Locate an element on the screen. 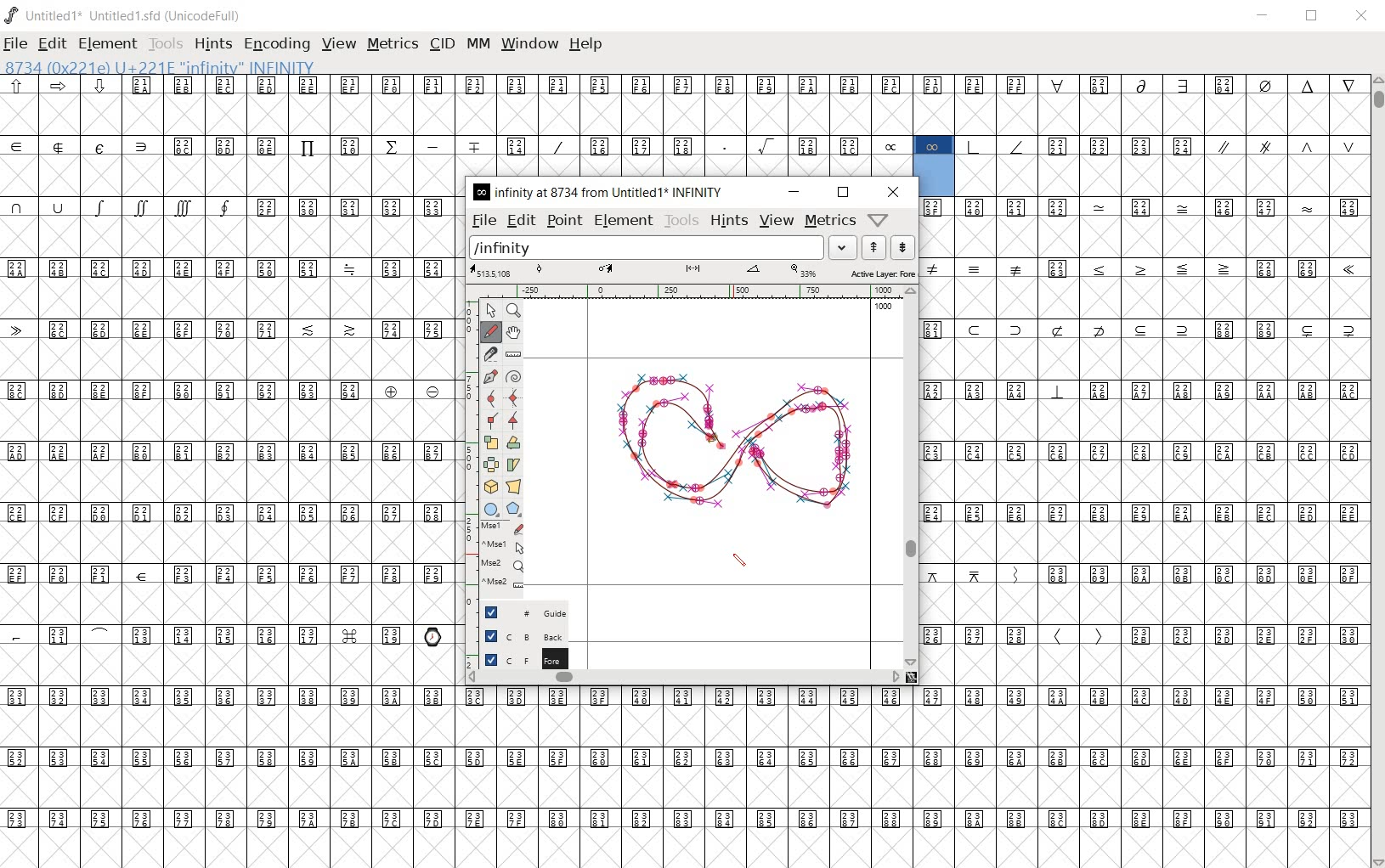  measure a distance, angle between points is located at coordinates (512, 353).